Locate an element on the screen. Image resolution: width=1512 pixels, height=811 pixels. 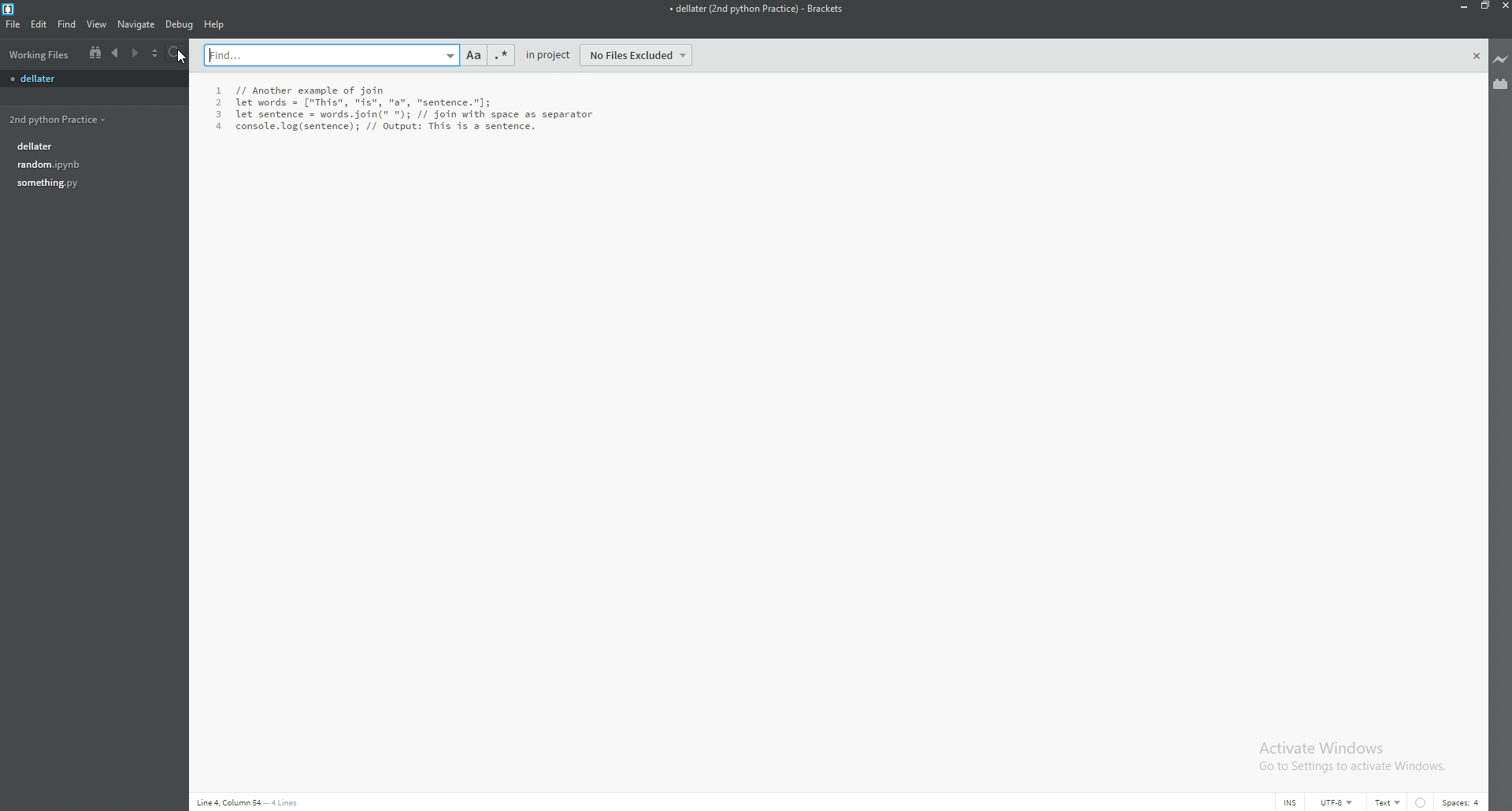
match case is located at coordinates (472, 56).